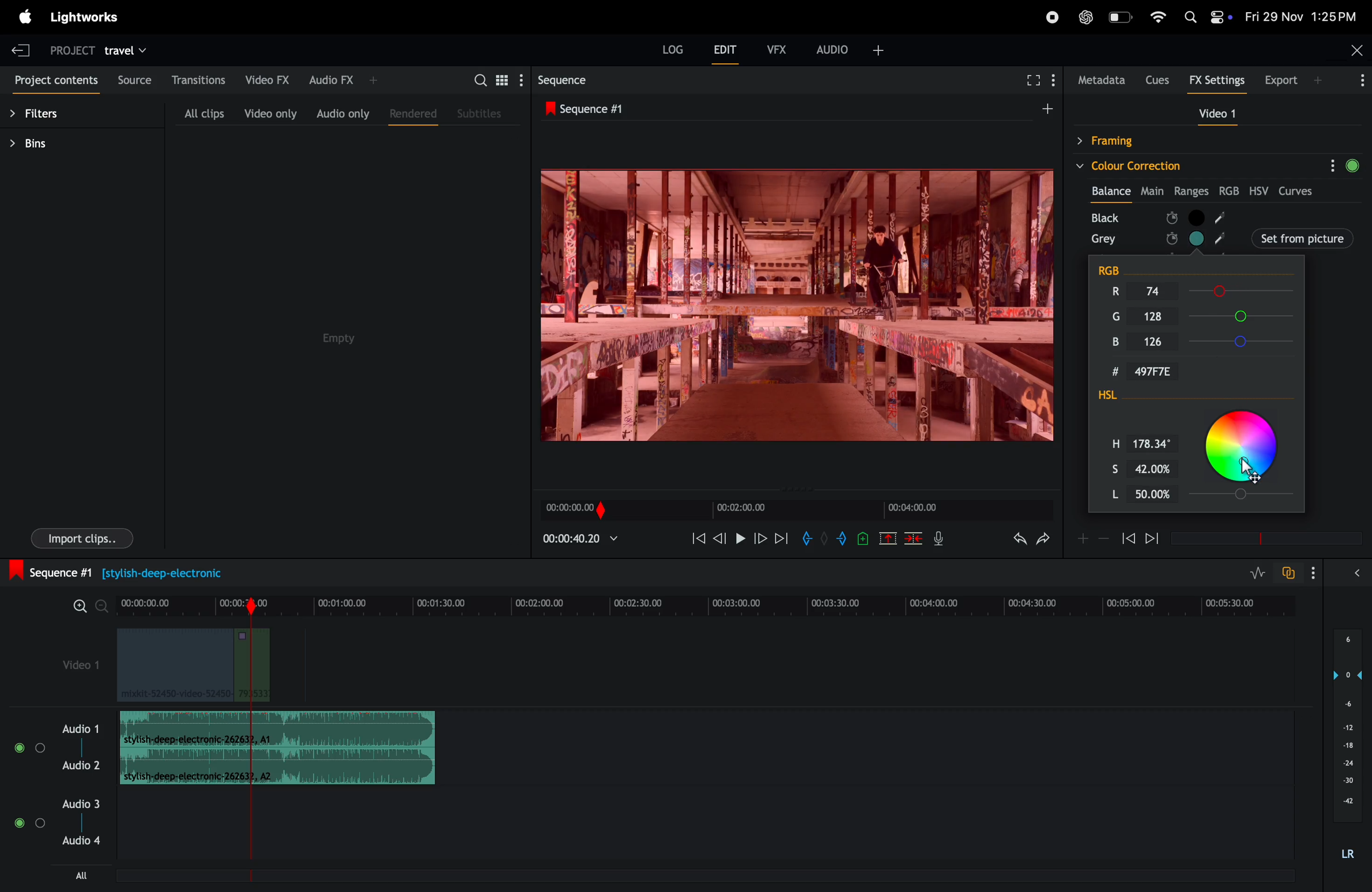 The height and width of the screenshot is (892, 1372). I want to click on previous frame, so click(722, 537).